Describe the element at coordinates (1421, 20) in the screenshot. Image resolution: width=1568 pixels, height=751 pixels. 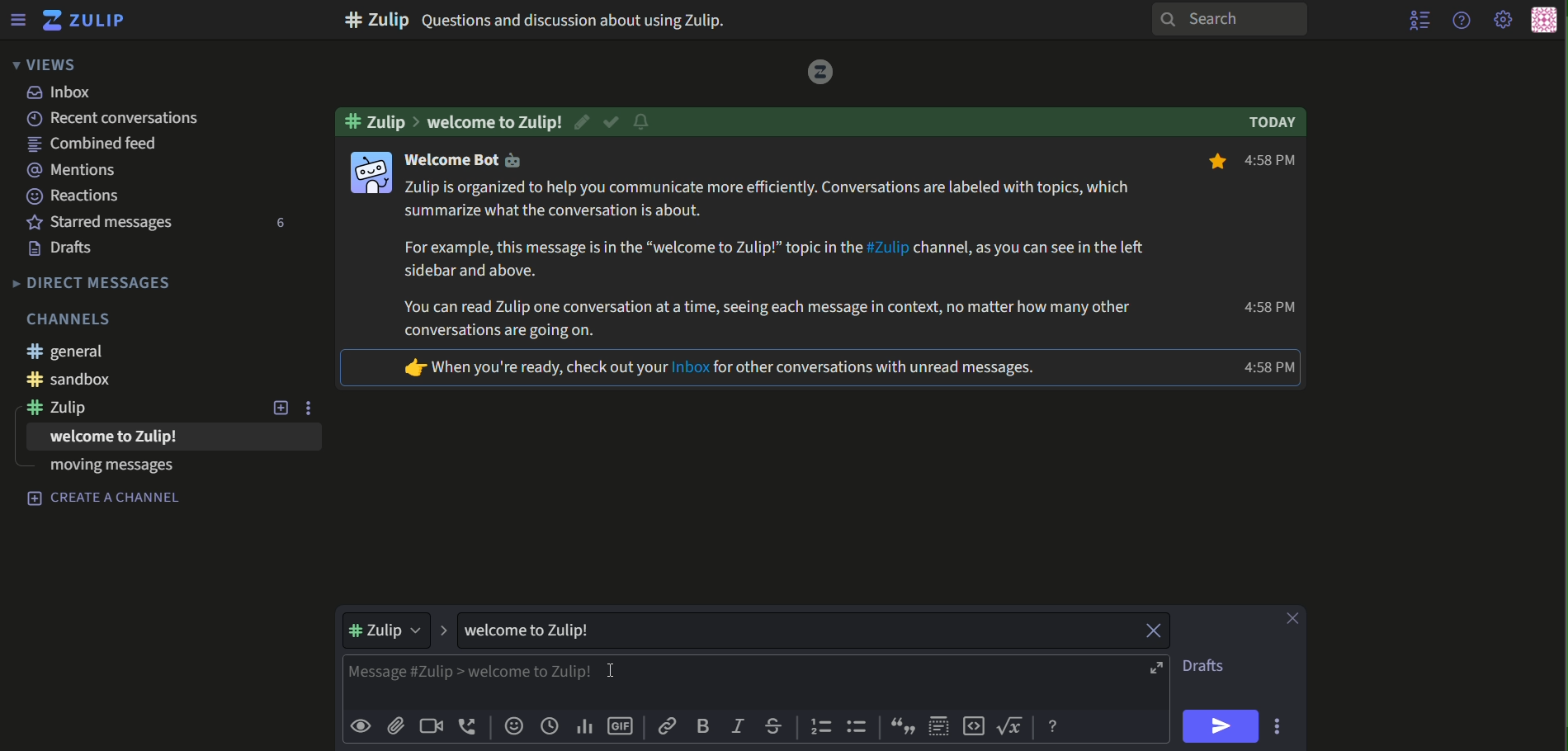
I see `user list` at that location.